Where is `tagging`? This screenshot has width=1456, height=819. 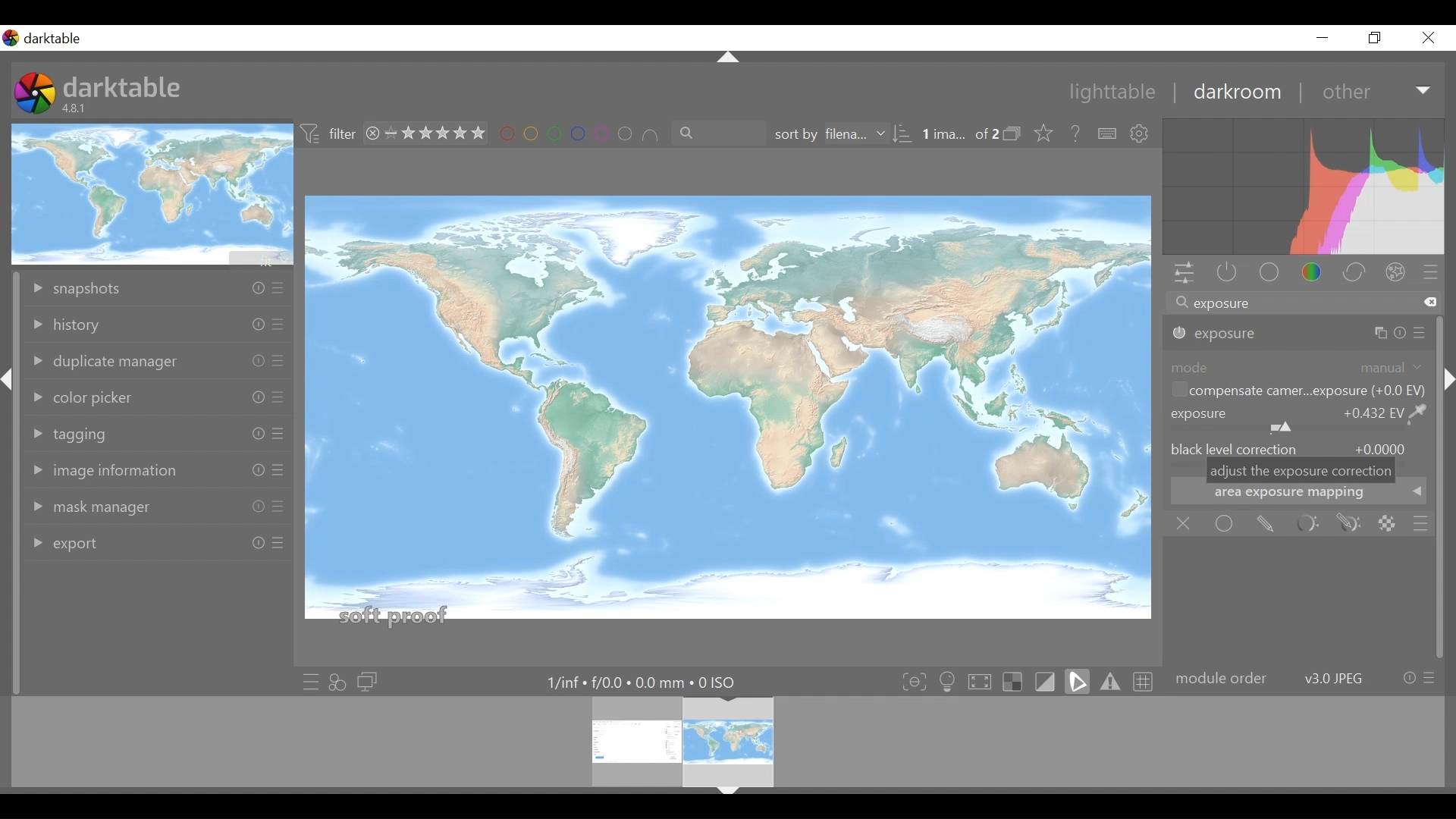 tagging is located at coordinates (84, 431).